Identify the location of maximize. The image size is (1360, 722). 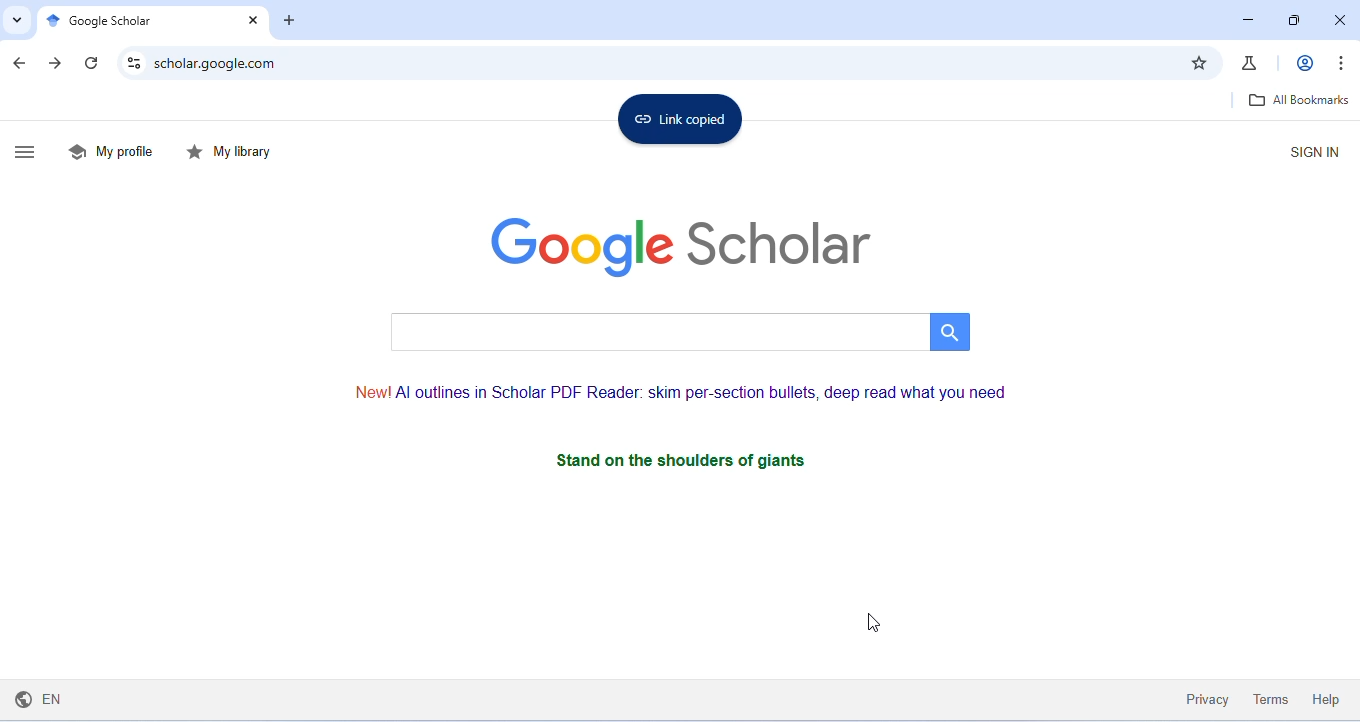
(1293, 22).